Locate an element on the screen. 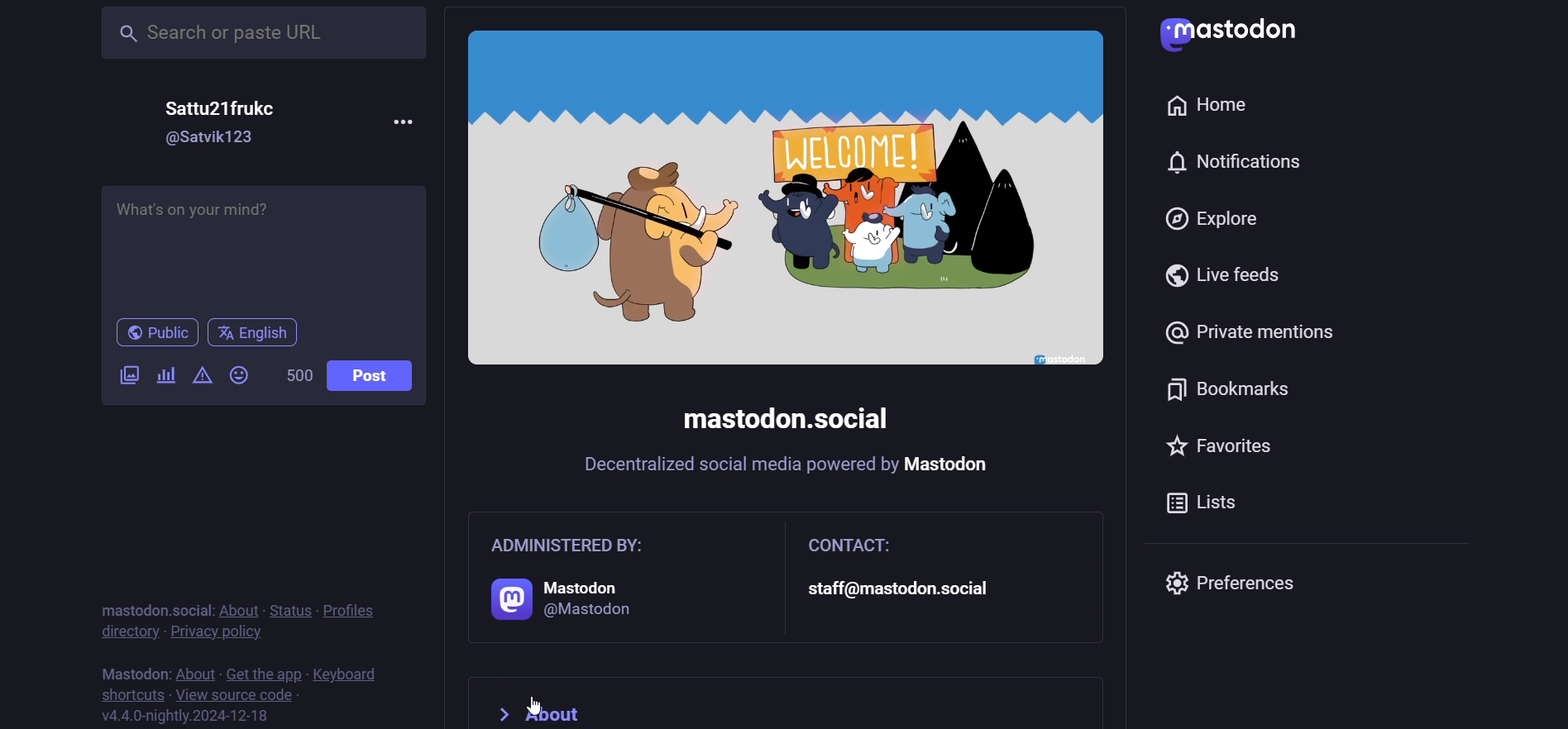  shortcut is located at coordinates (127, 693).